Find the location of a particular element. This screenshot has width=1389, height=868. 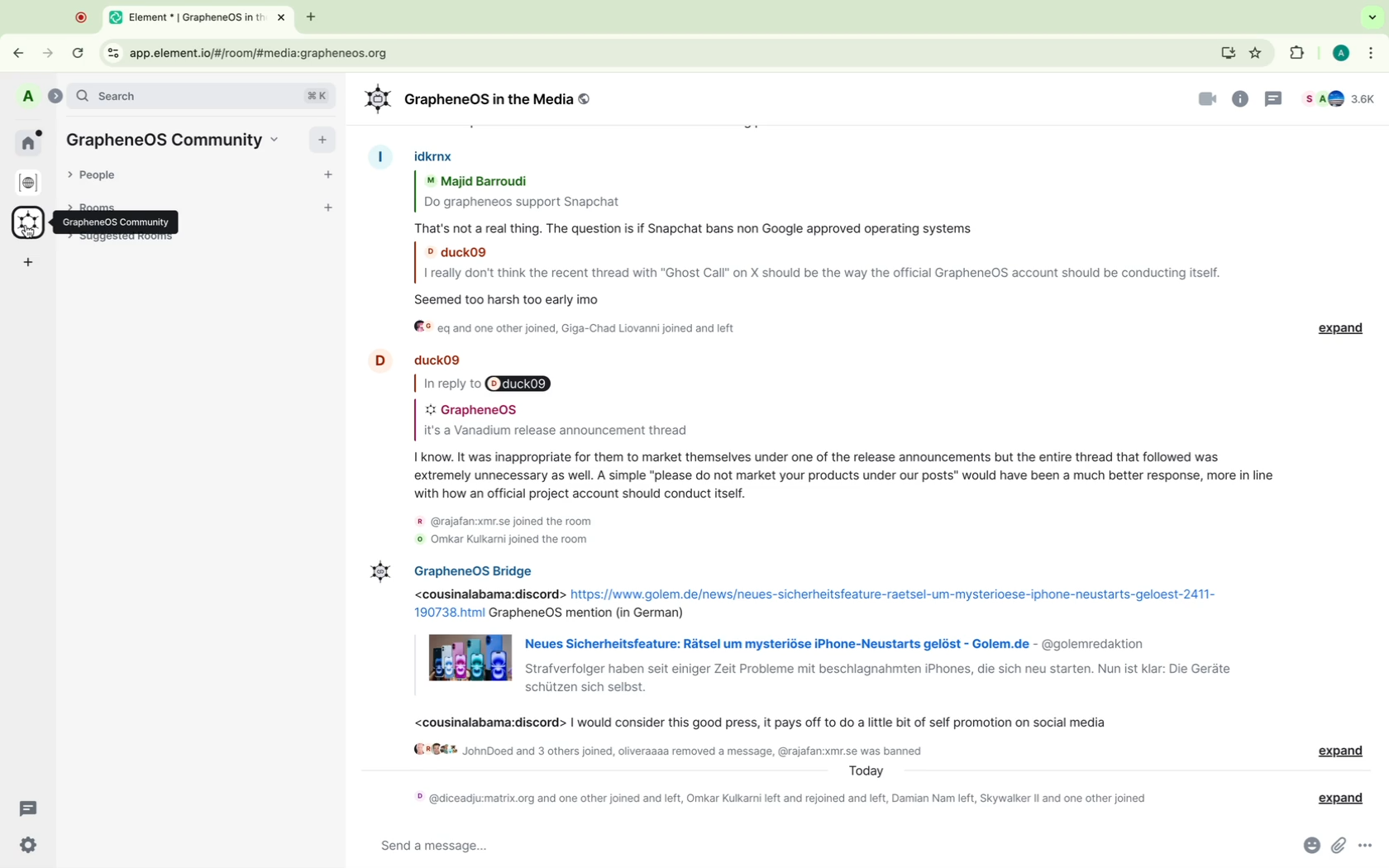

I really dont think the recent thread with "ghost call" on X should be the way the official grapheneos account should be conducting itself is located at coordinates (824, 272).